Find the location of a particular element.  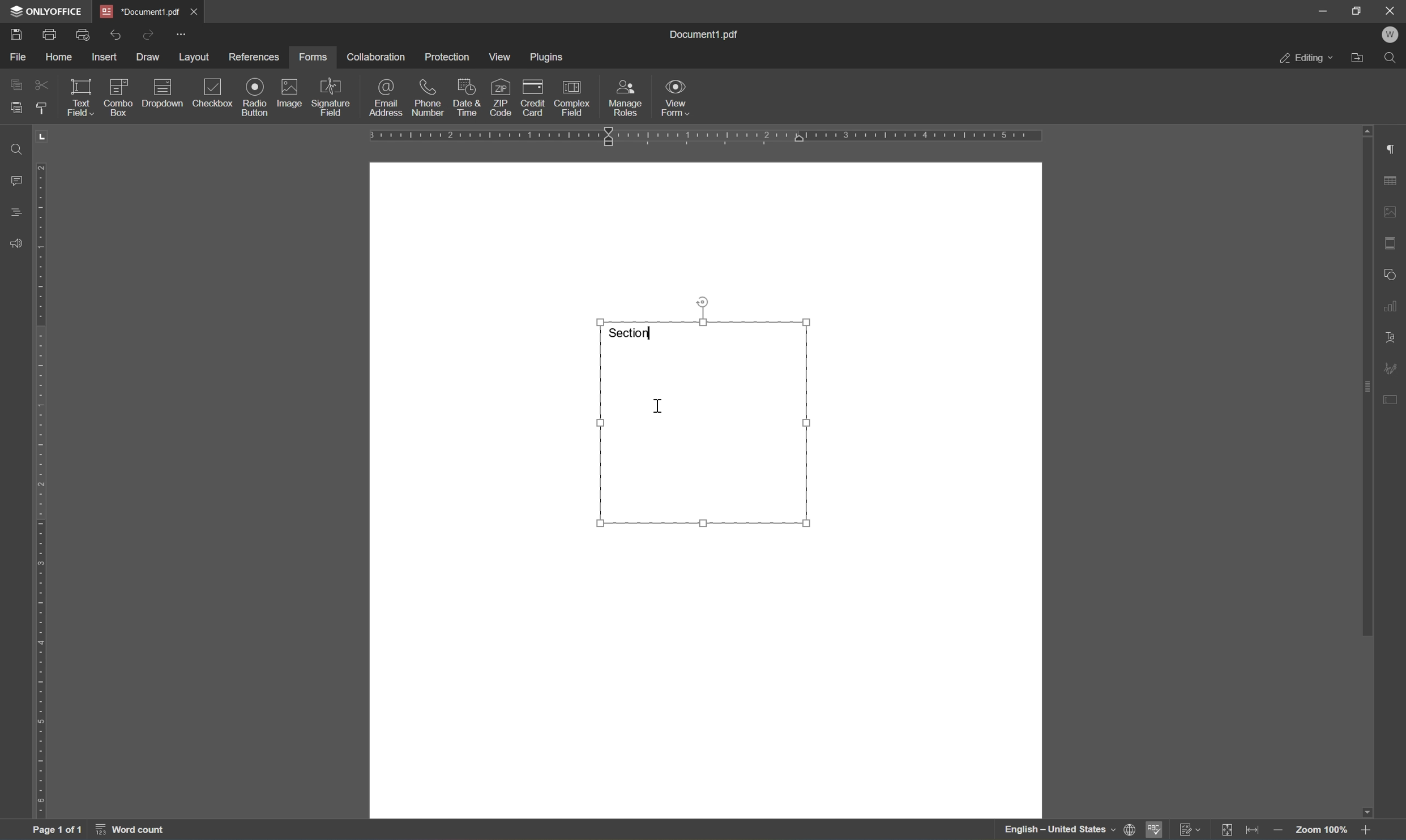

header & footer settings is located at coordinates (1391, 244).